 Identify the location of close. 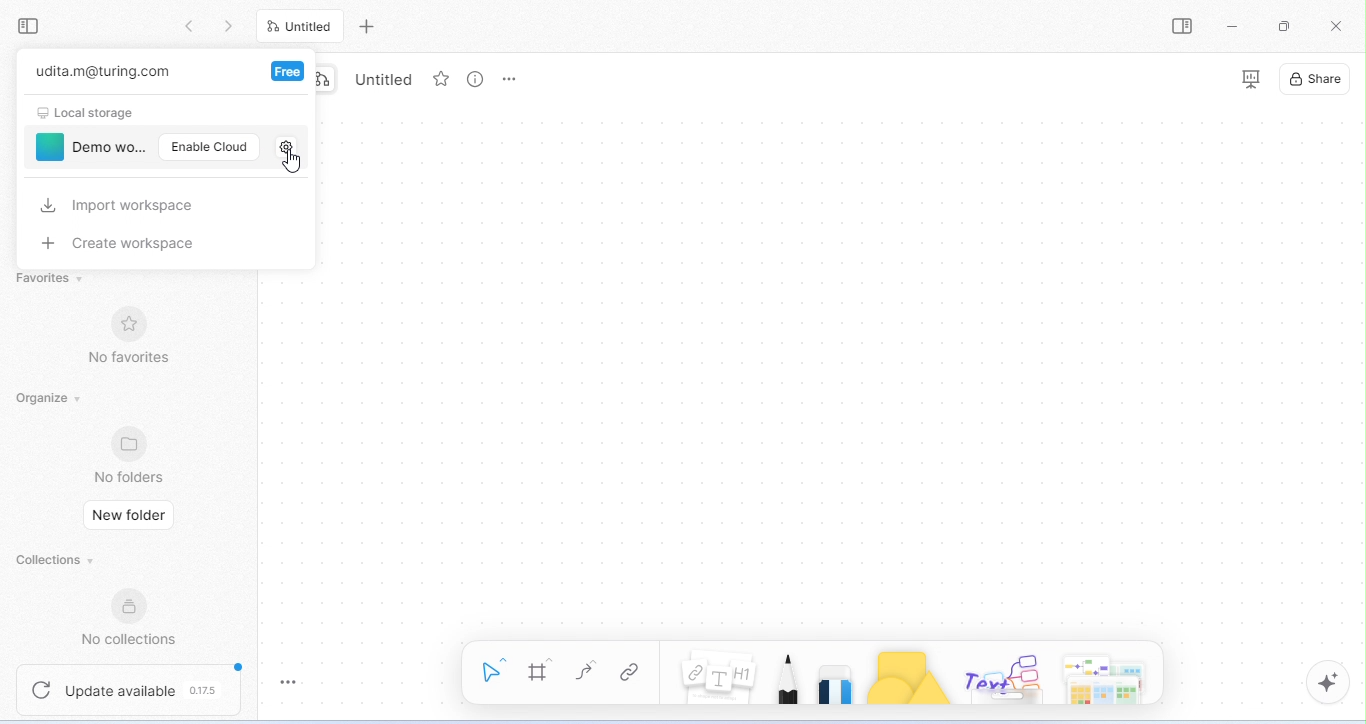
(1336, 26).